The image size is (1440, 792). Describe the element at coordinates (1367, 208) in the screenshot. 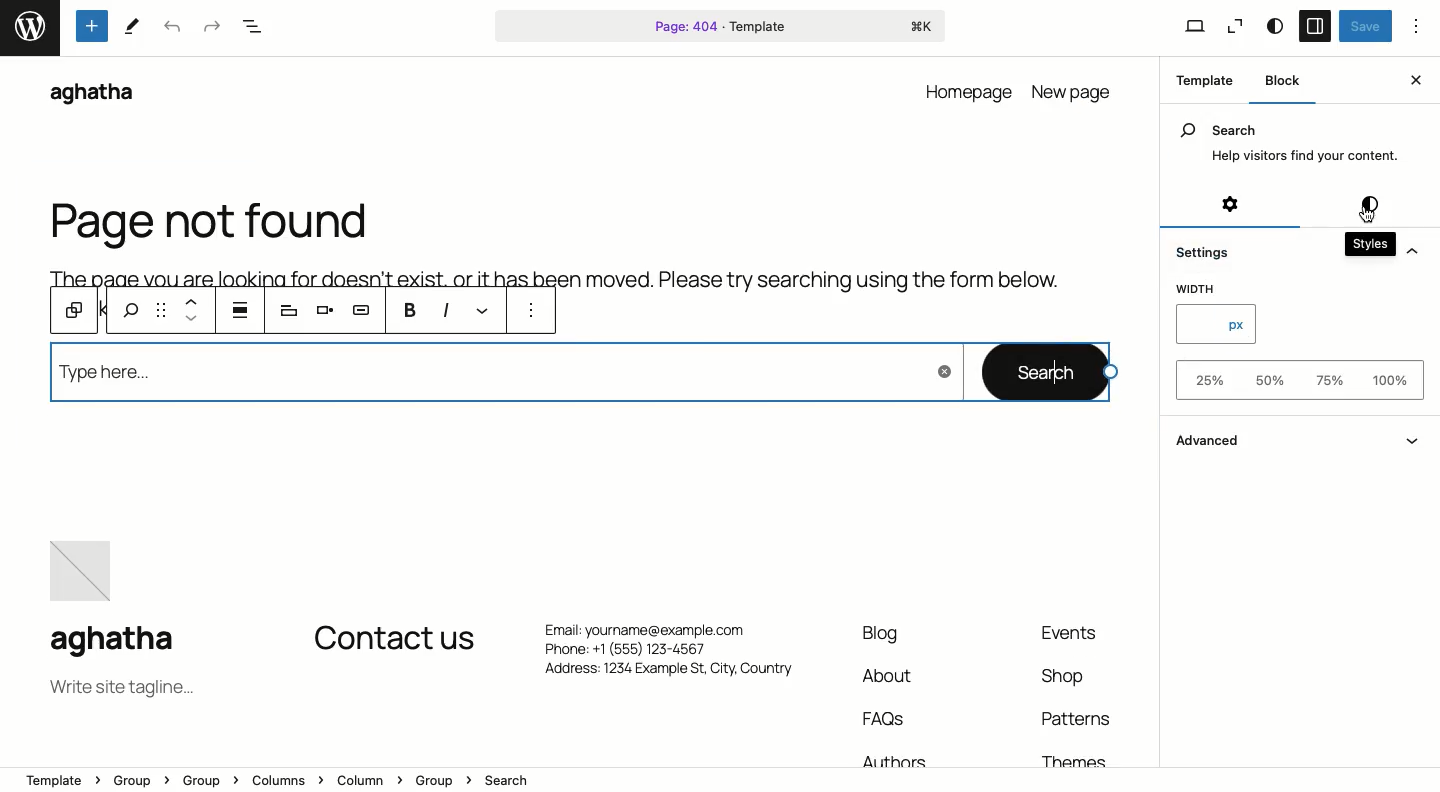

I see `Styles` at that location.